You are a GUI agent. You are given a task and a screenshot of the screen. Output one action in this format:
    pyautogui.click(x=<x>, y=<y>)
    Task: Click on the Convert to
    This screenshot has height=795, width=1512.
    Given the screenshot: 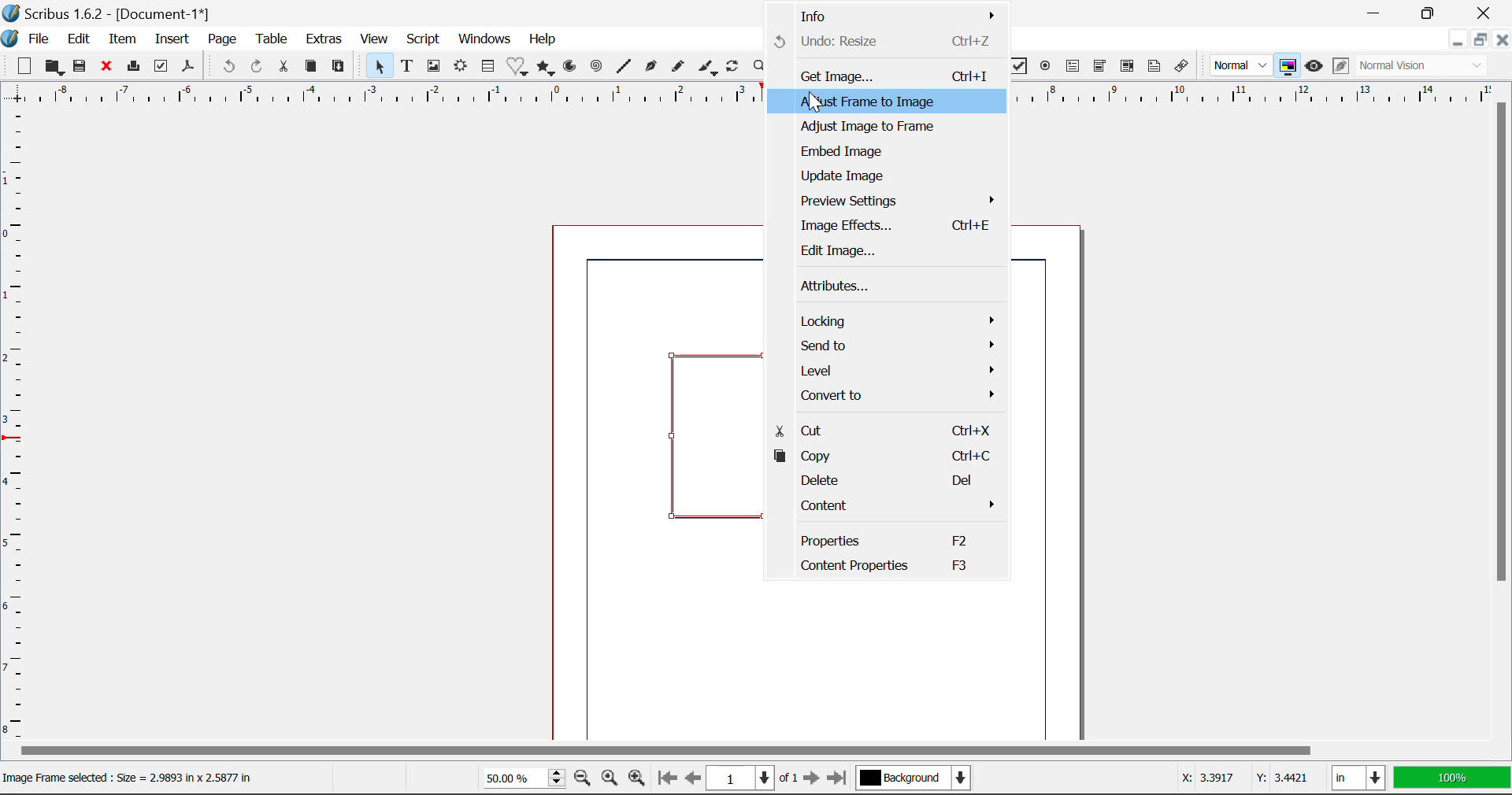 What is the action you would take?
    pyautogui.click(x=890, y=394)
    